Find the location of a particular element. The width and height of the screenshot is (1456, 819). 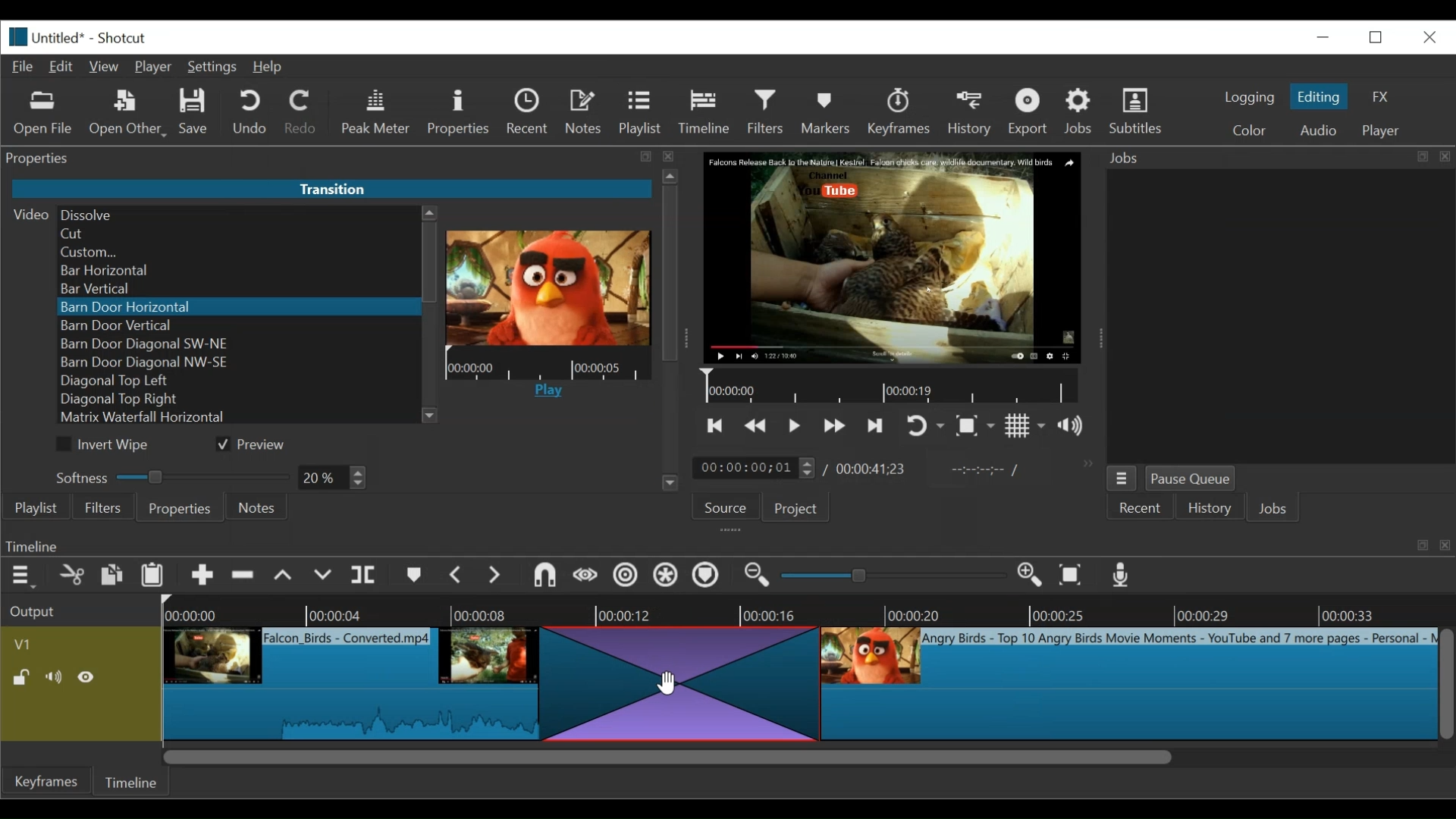

Cut is located at coordinates (74, 575).